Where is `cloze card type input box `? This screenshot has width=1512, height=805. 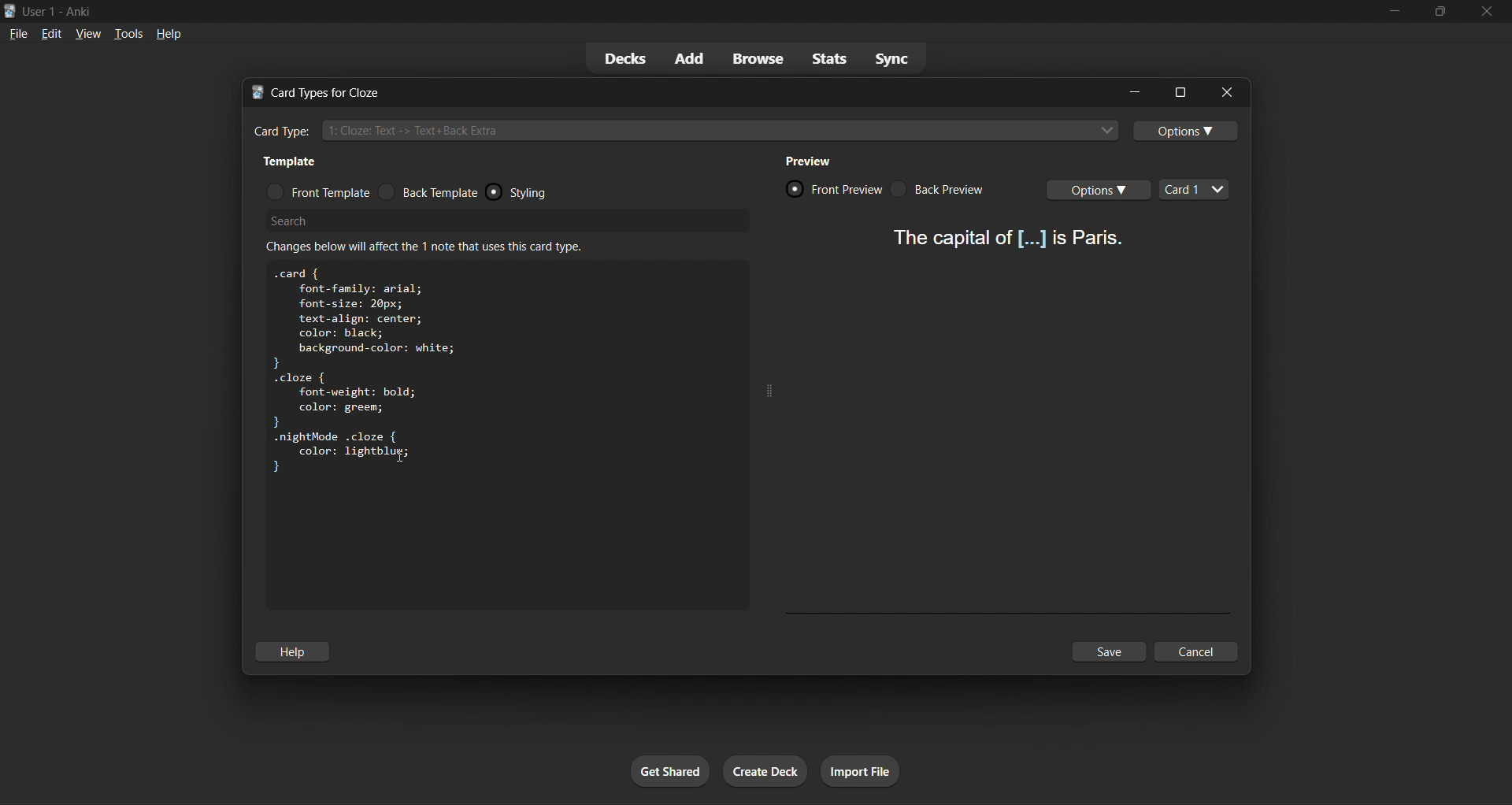
cloze card type input box  is located at coordinates (685, 131).